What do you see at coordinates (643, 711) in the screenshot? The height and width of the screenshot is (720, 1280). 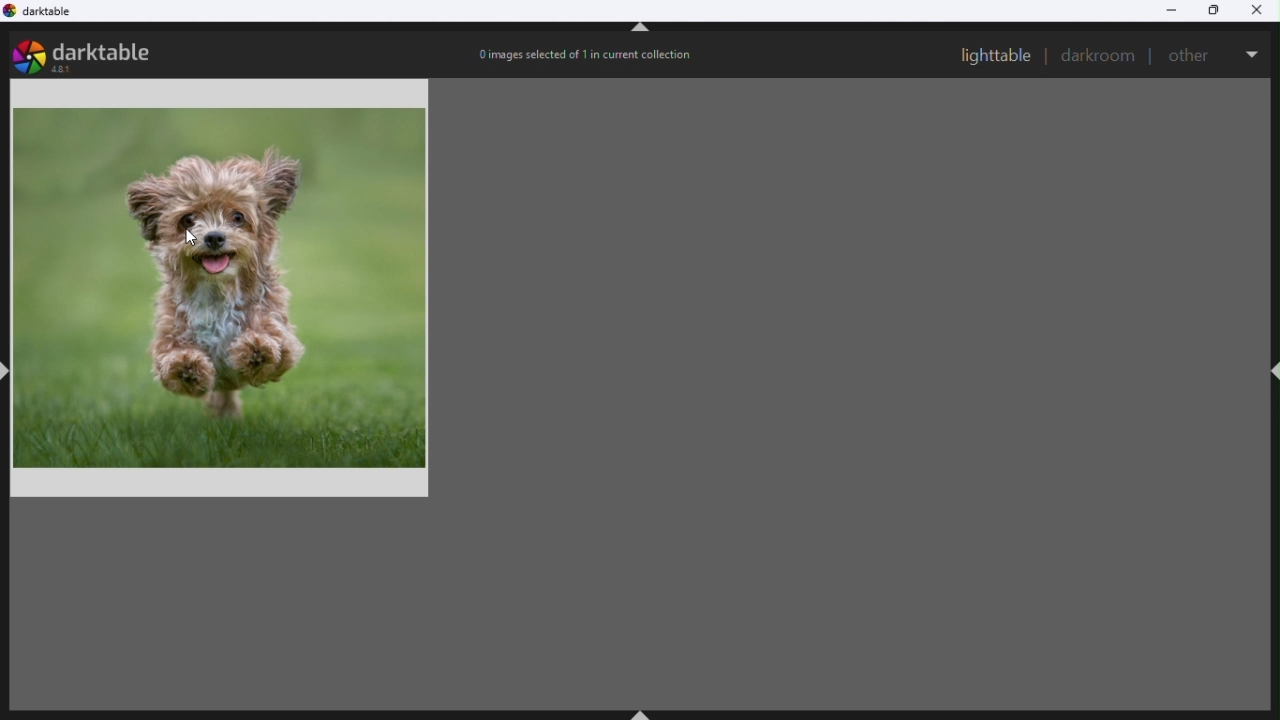 I see `ctrl+shift+b` at bounding box center [643, 711].